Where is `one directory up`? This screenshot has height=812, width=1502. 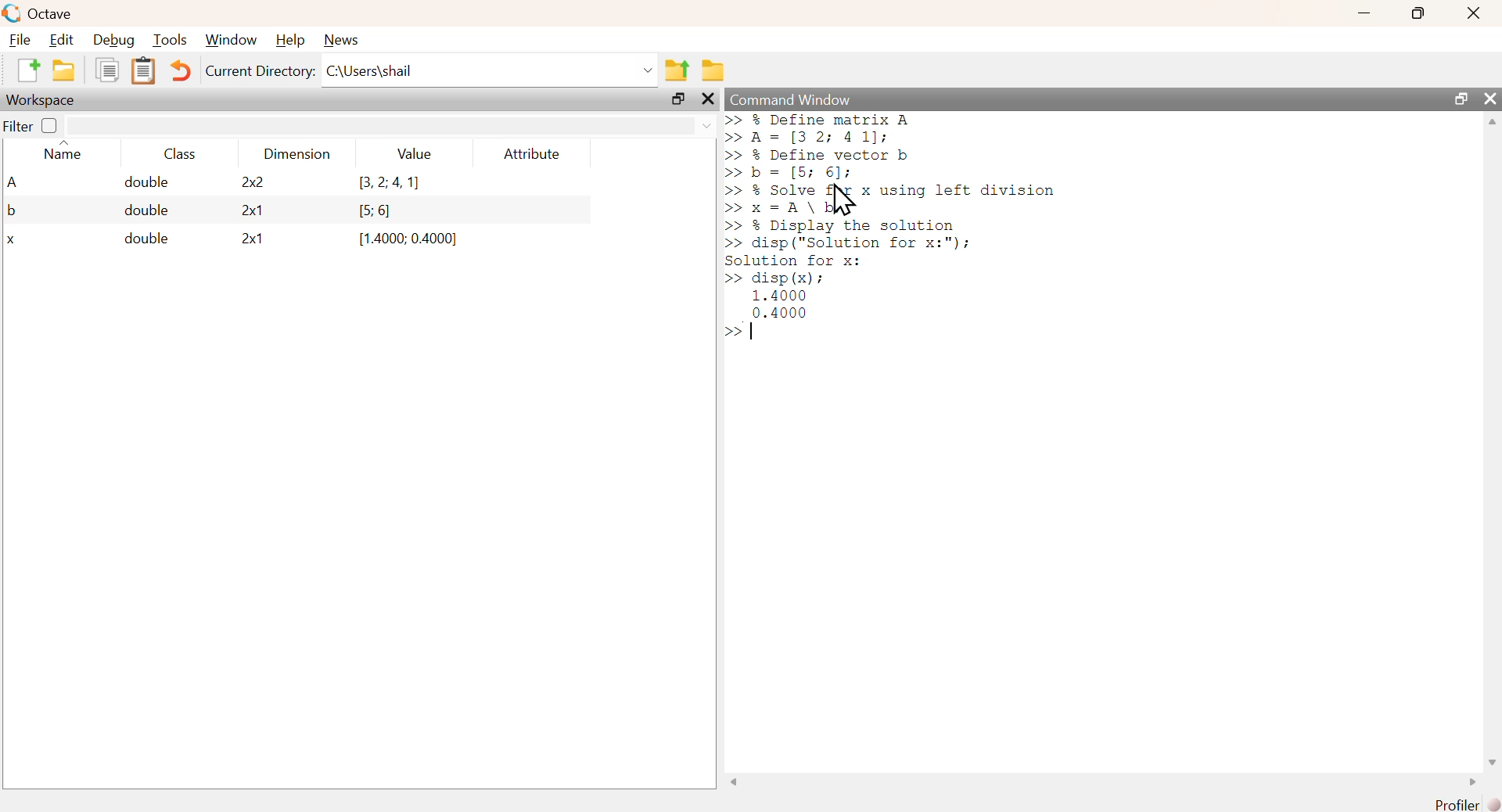
one directory up is located at coordinates (679, 70).